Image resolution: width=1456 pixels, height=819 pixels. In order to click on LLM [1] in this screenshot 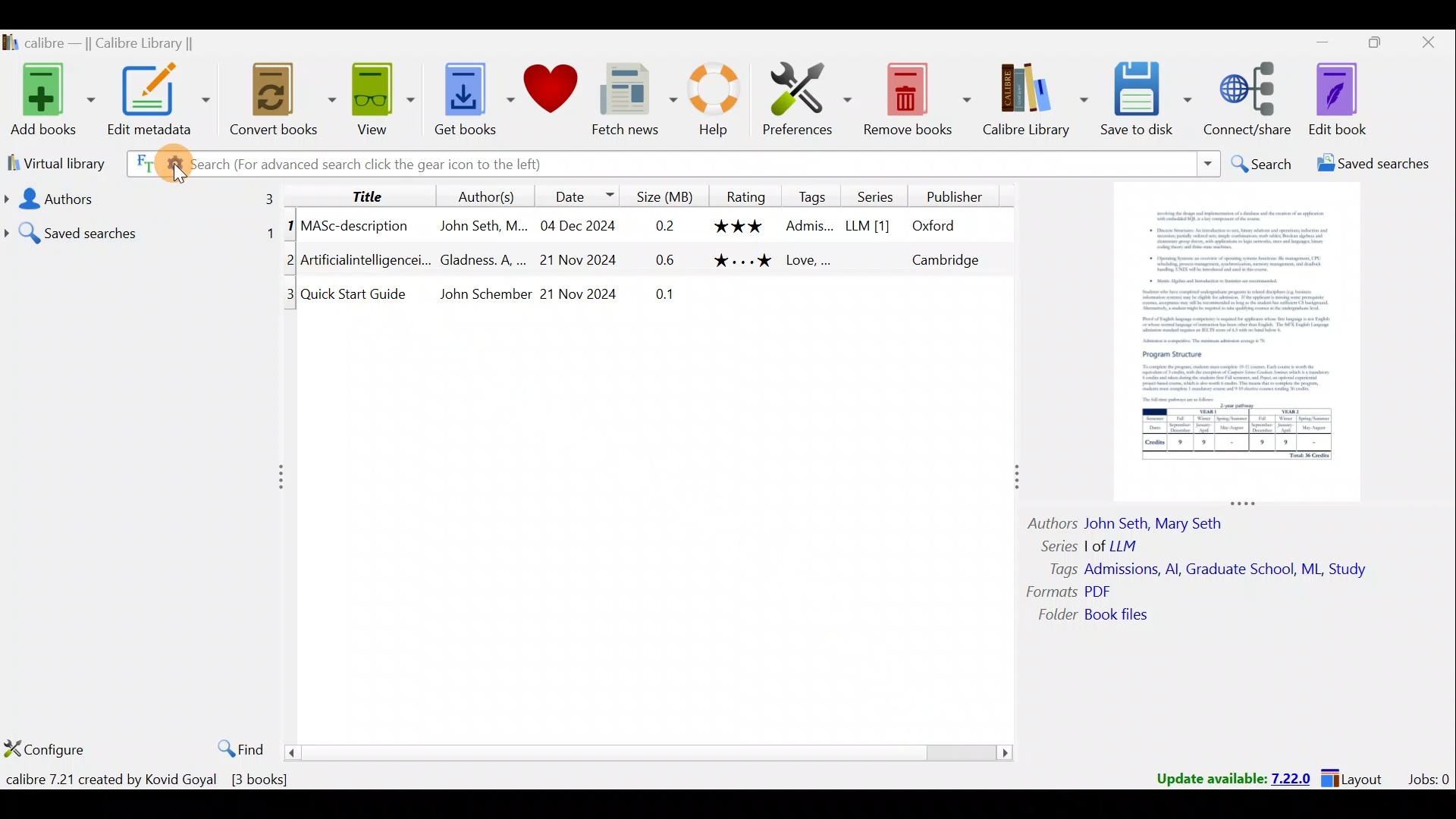, I will do `click(866, 228)`.